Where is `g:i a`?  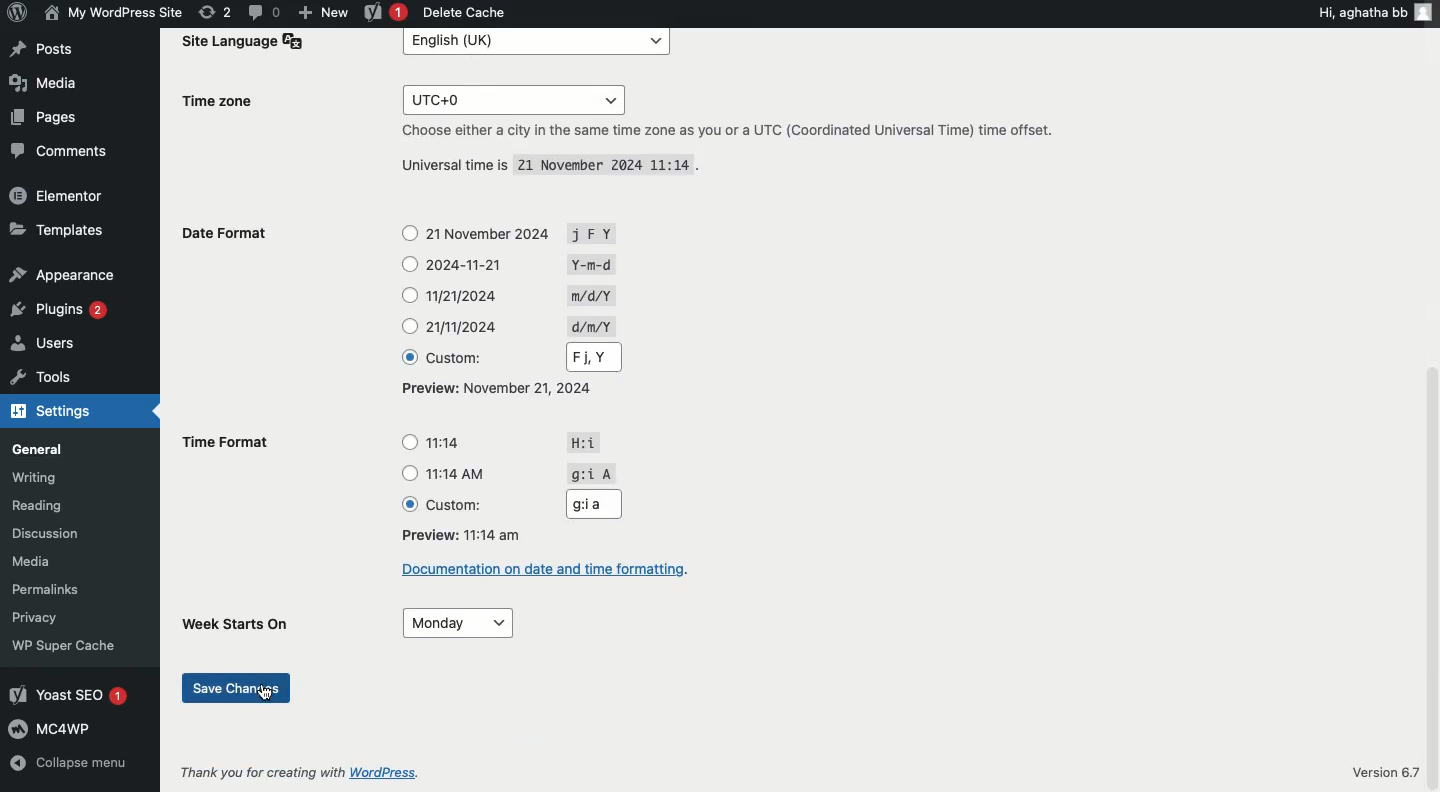 g:i a is located at coordinates (591, 502).